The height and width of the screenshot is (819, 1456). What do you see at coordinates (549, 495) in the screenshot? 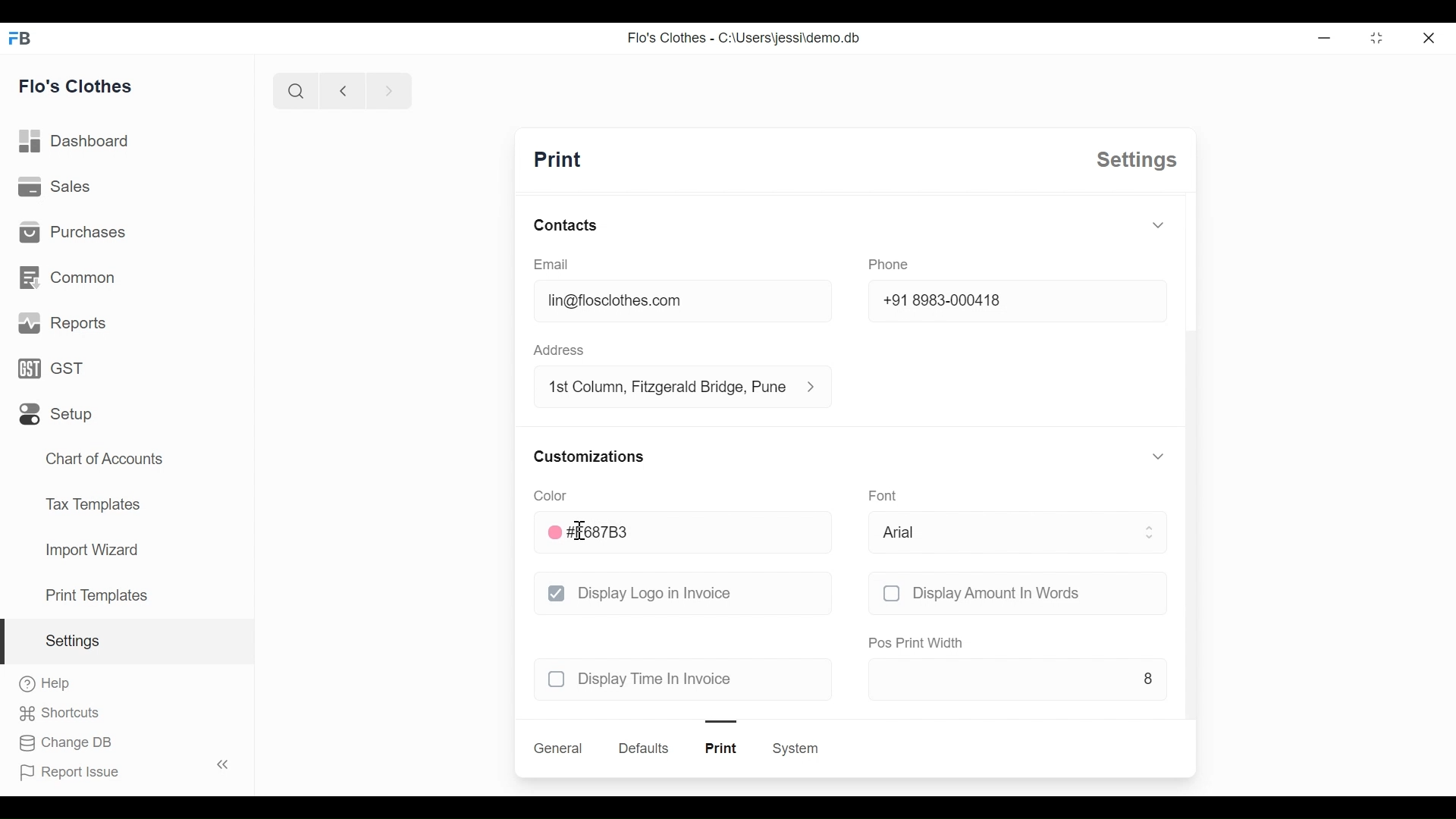
I see `color` at bounding box center [549, 495].